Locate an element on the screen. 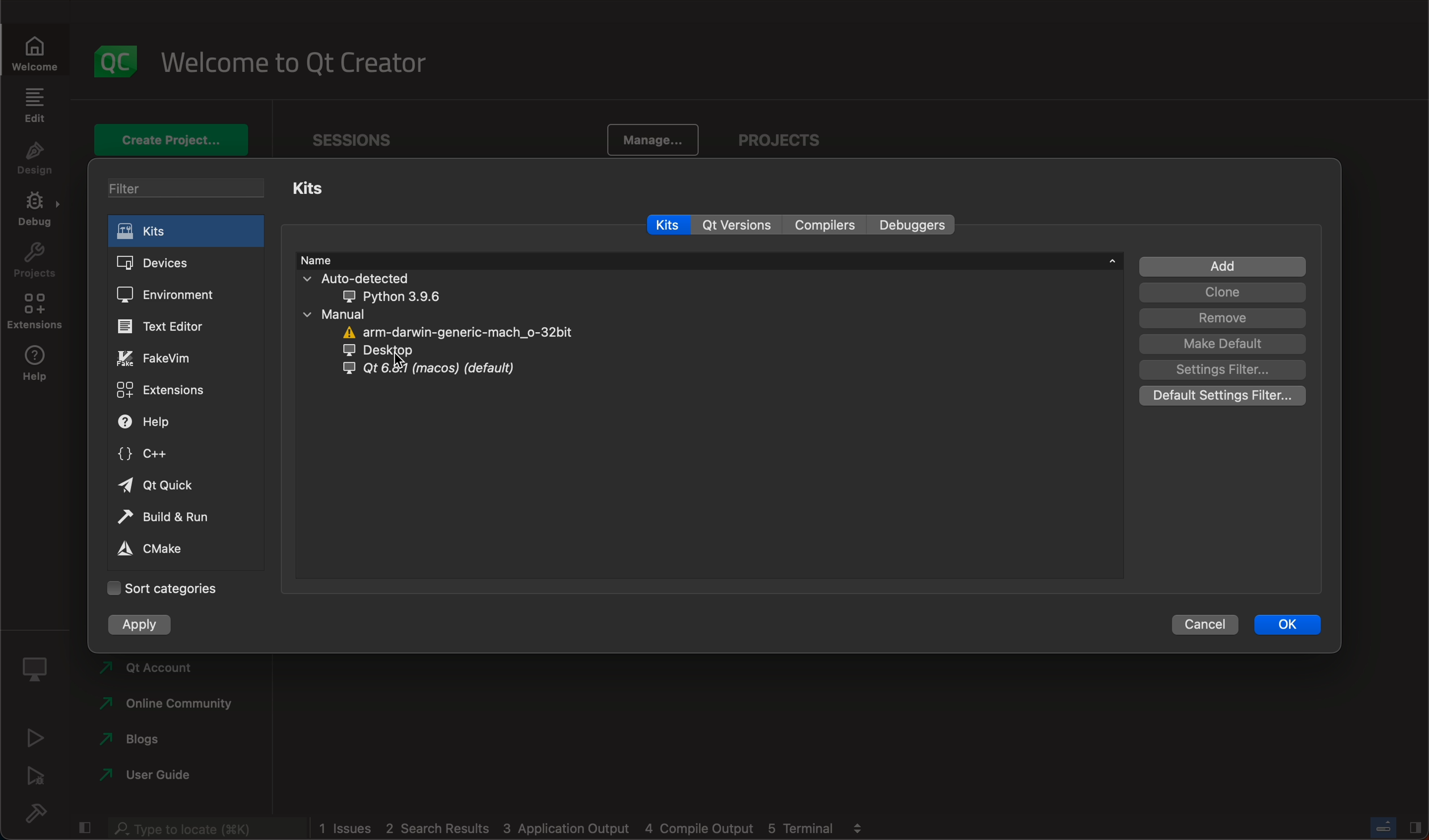  cancel is located at coordinates (1202, 625).